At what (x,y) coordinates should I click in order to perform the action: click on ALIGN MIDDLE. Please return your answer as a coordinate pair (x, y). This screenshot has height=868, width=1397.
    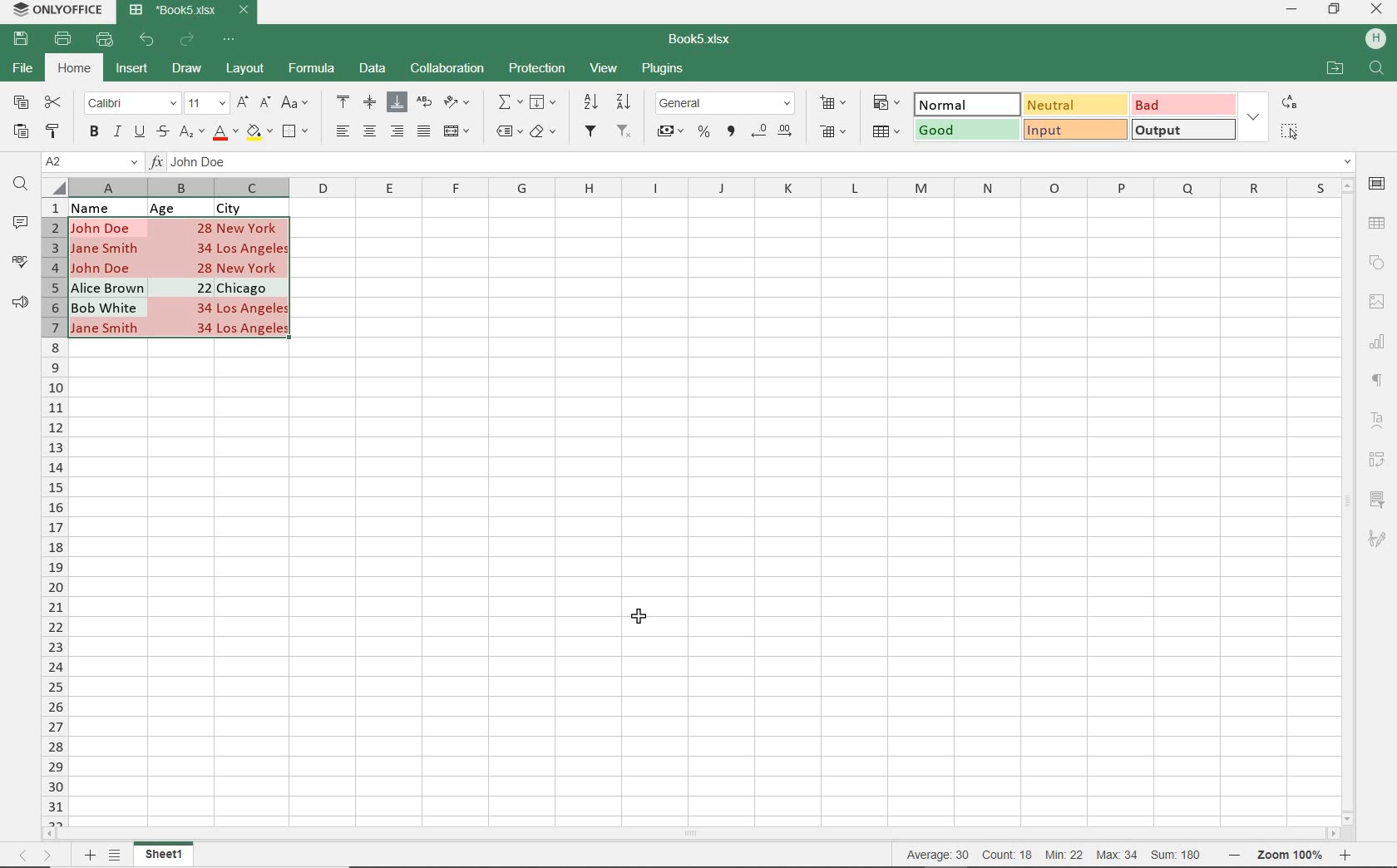
    Looking at the image, I should click on (369, 101).